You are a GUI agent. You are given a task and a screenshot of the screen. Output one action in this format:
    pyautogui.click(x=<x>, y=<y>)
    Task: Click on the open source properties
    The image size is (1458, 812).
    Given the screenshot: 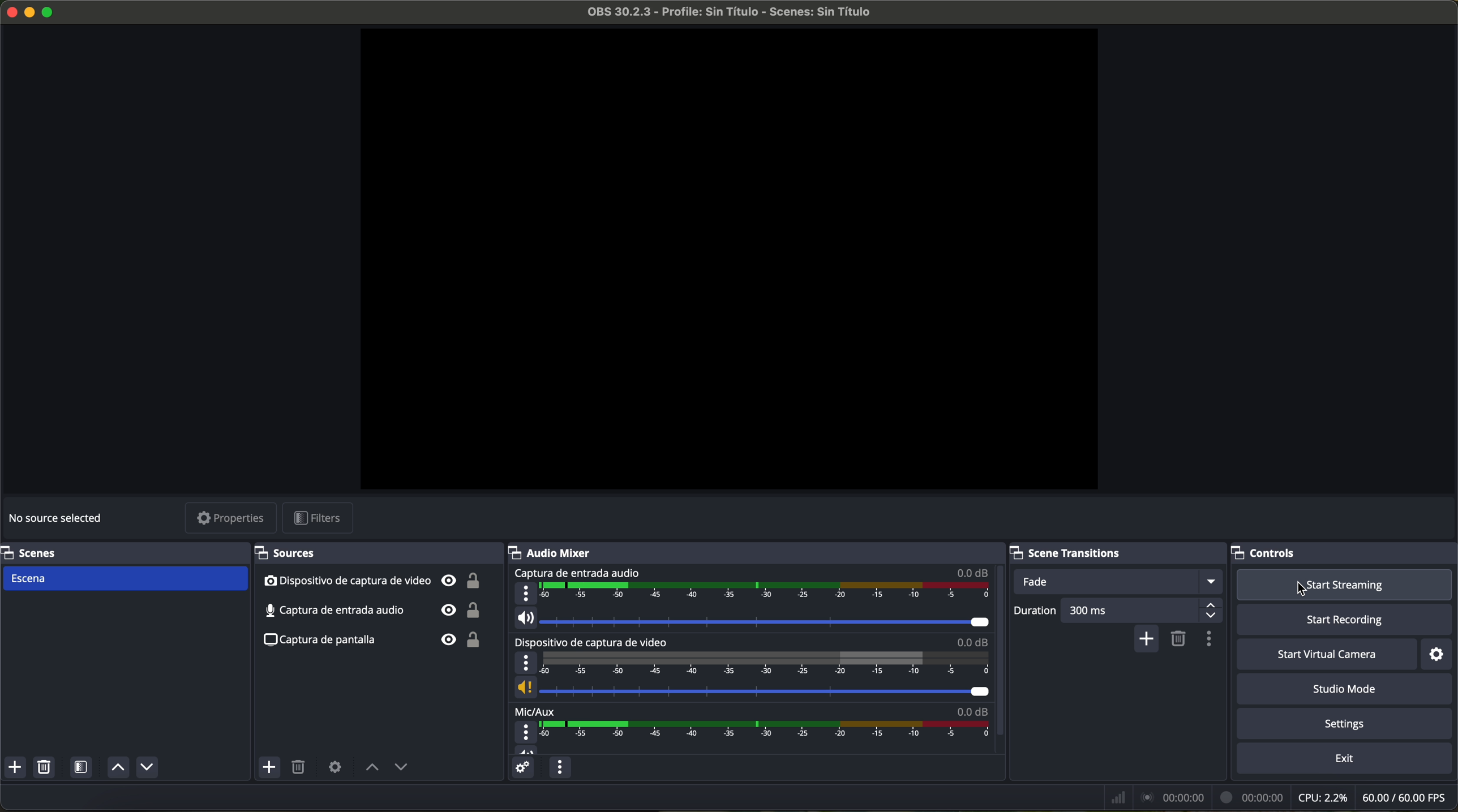 What is the action you would take?
    pyautogui.click(x=335, y=766)
    